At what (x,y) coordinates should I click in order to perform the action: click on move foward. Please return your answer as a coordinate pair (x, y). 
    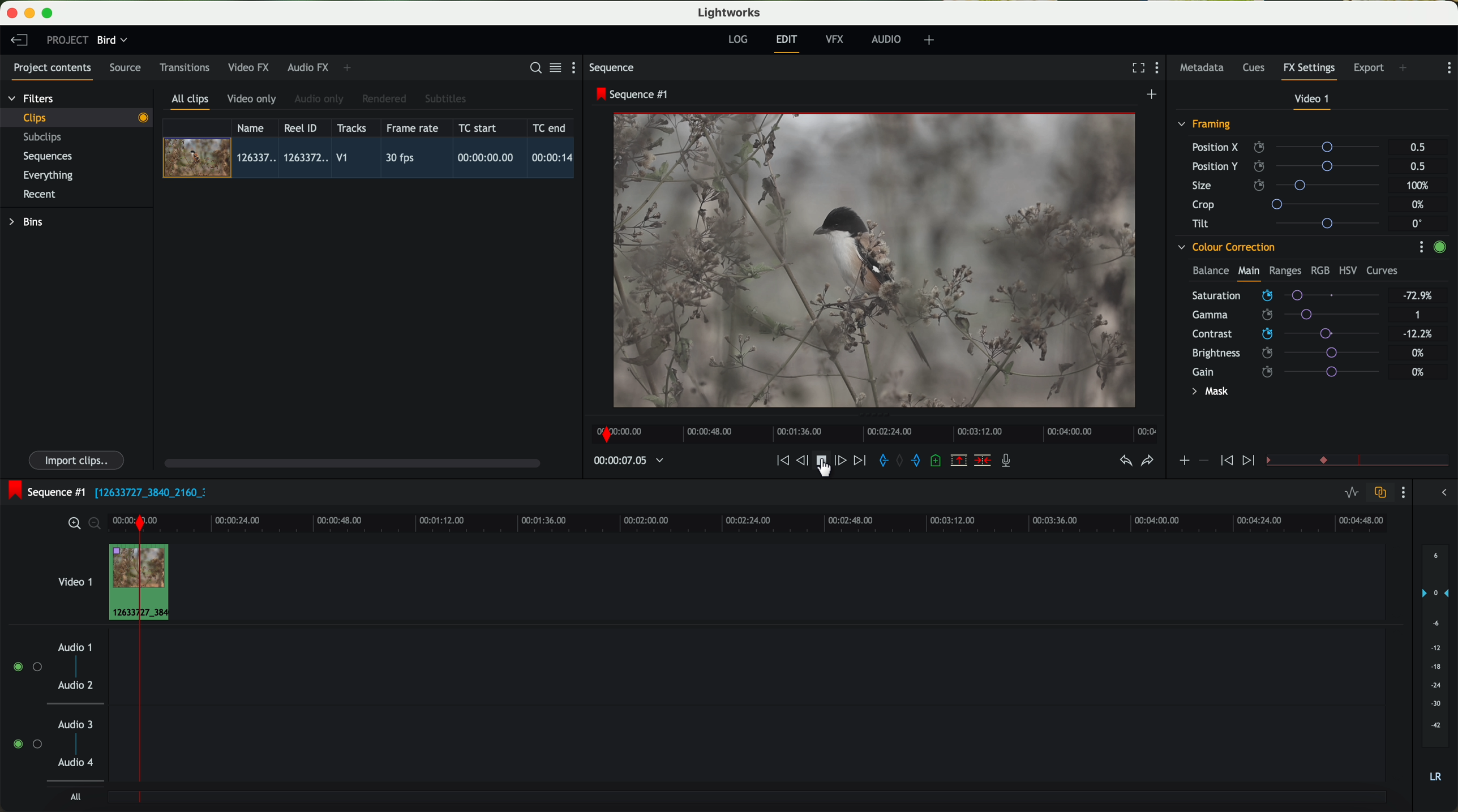
    Looking at the image, I should click on (859, 461).